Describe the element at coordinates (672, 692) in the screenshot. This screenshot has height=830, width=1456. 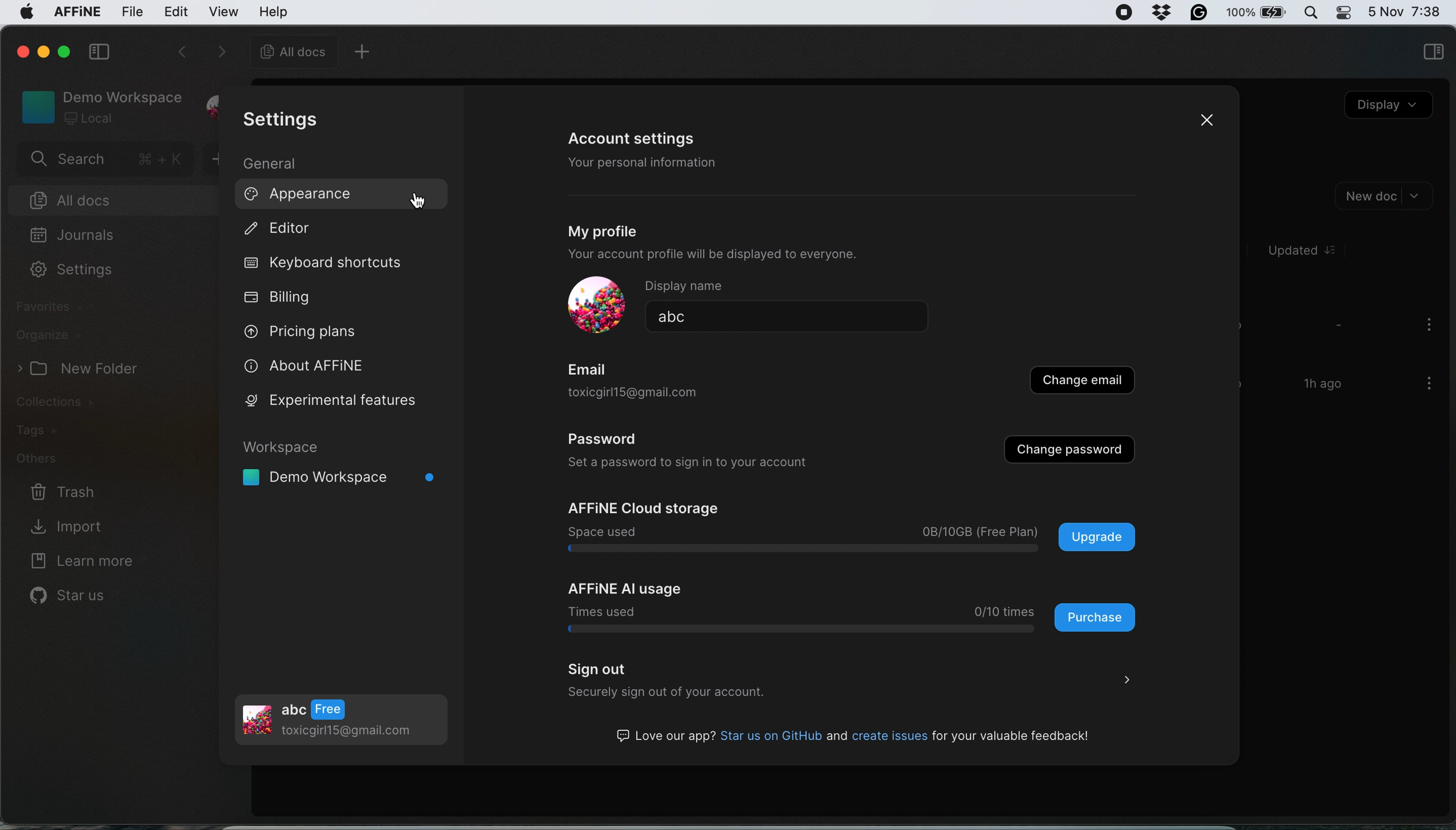
I see `Lclurcly Sign out OF your aCCounit.` at that location.